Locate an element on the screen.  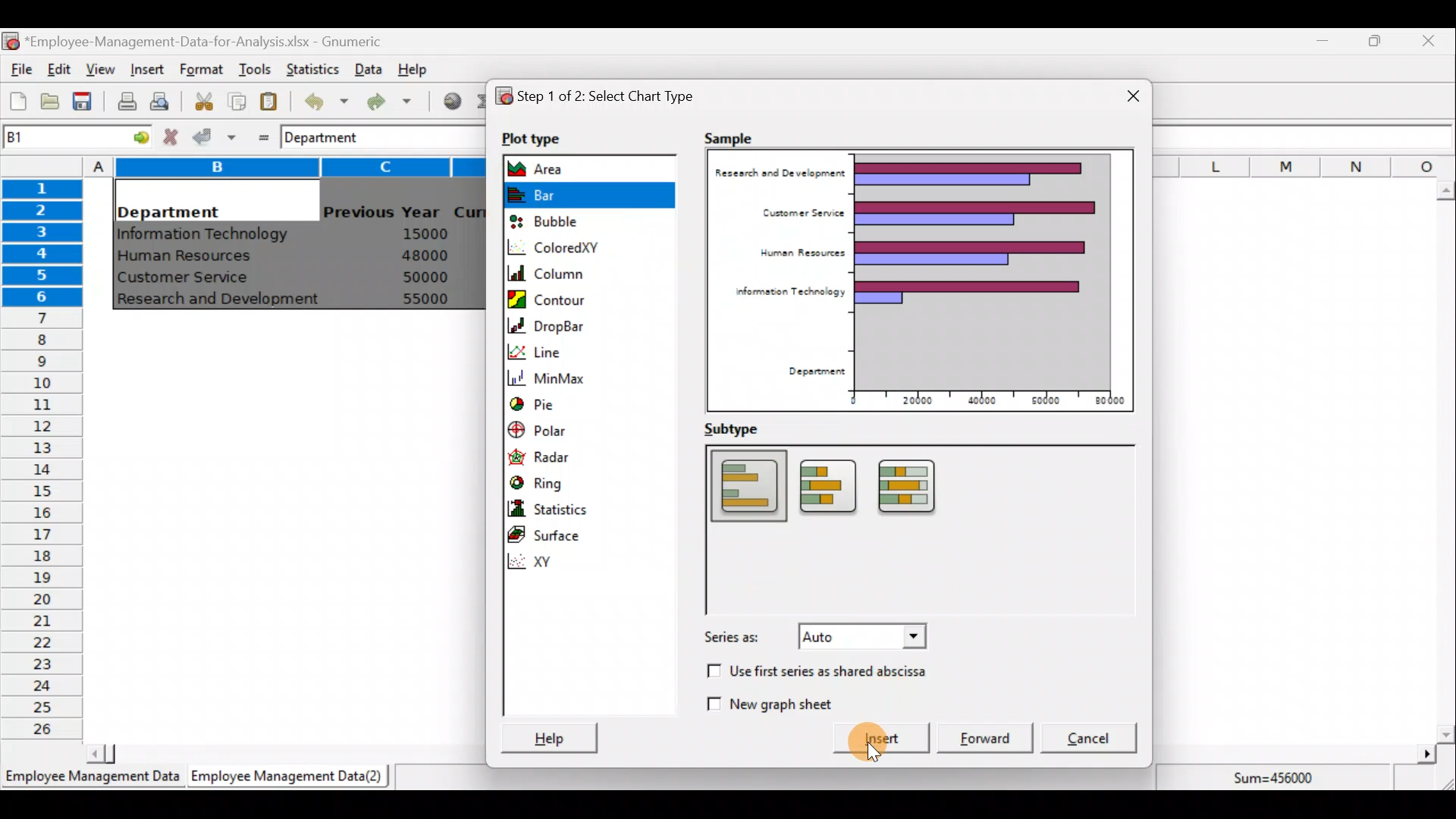
Use first series as shared abscissa is located at coordinates (816, 673).